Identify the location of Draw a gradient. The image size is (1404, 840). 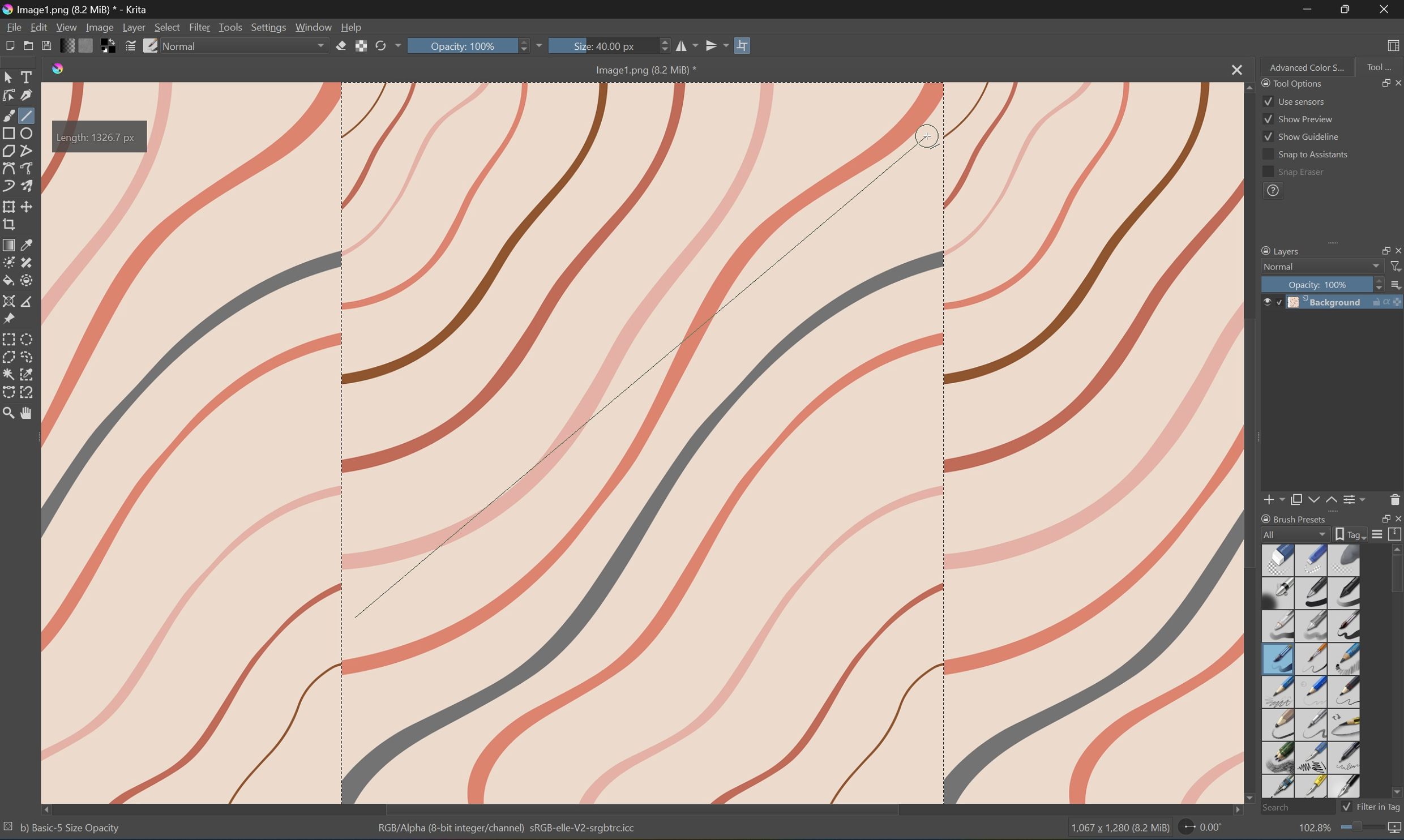
(10, 244).